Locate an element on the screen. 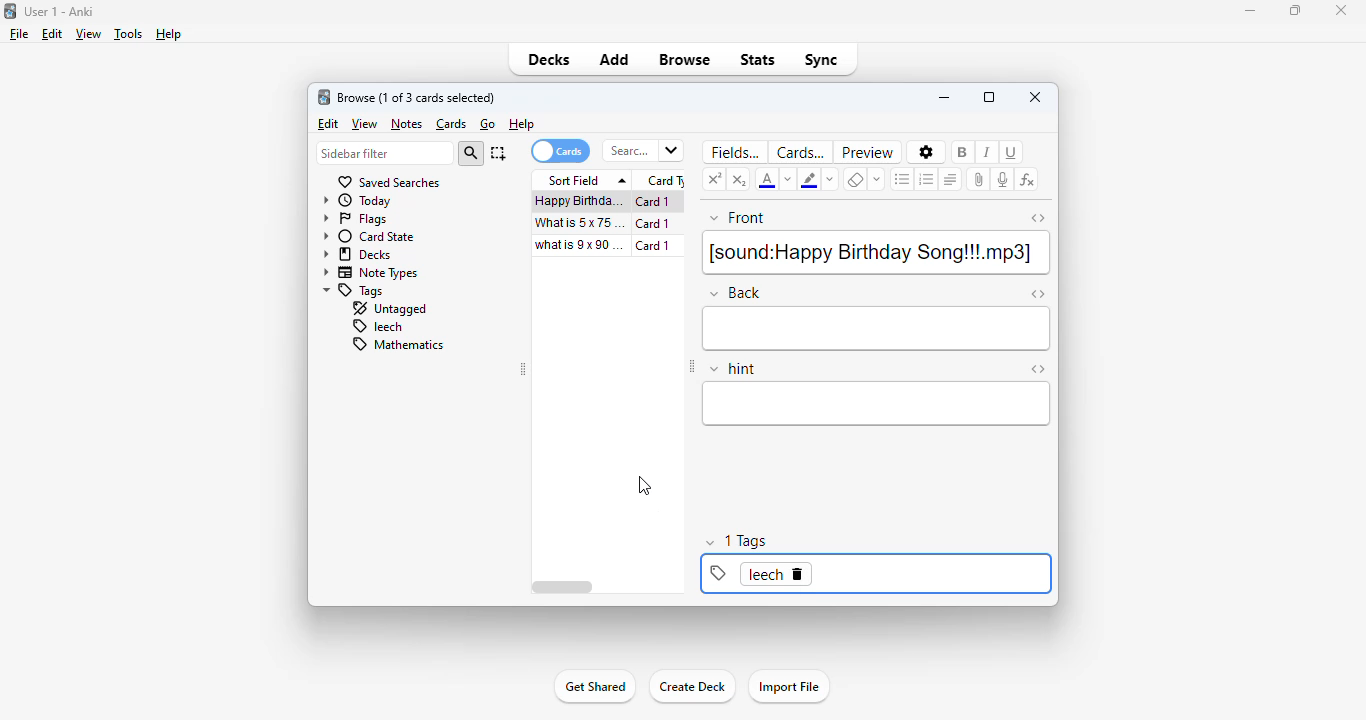 This screenshot has width=1366, height=720. options is located at coordinates (925, 152).